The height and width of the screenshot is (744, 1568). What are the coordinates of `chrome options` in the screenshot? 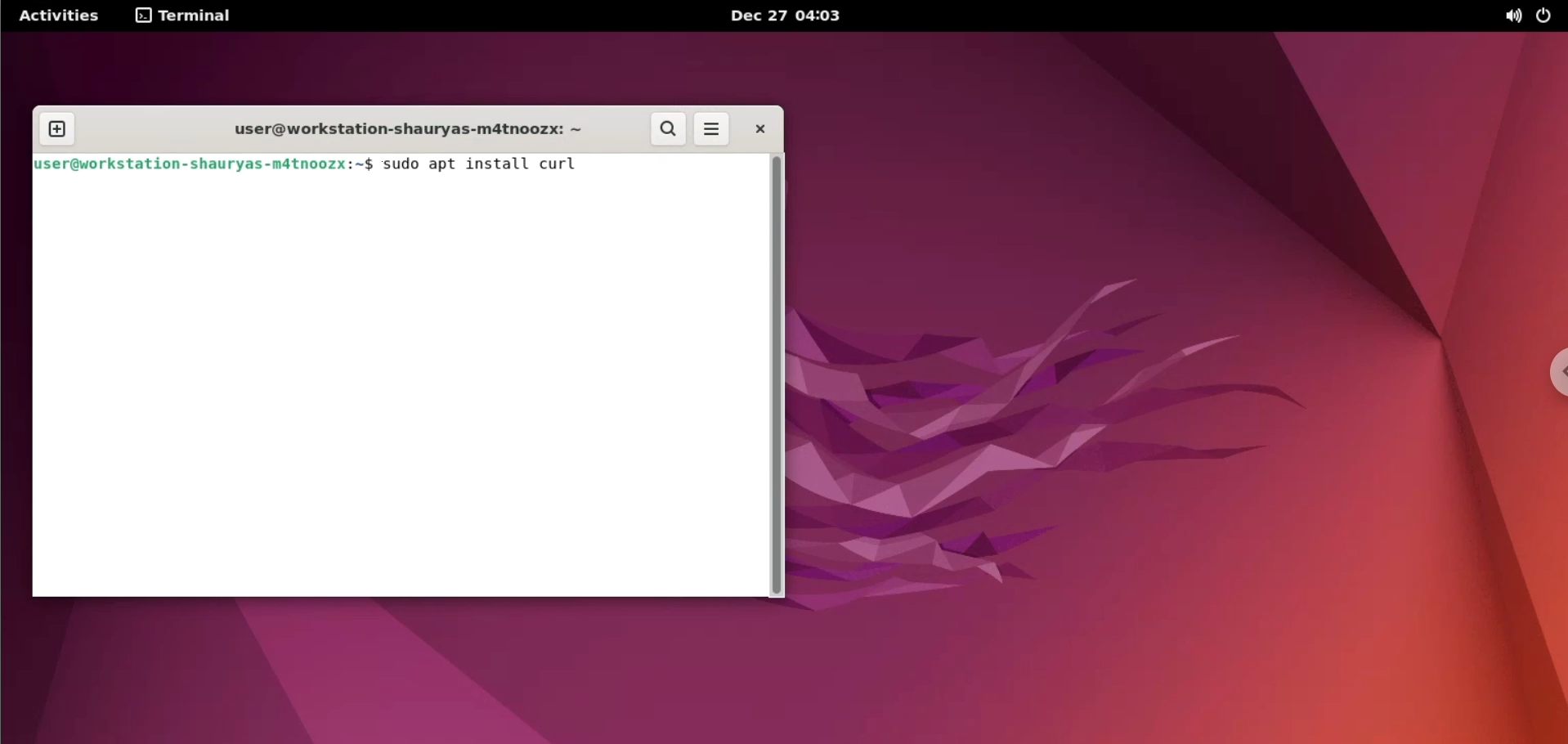 It's located at (1553, 374).